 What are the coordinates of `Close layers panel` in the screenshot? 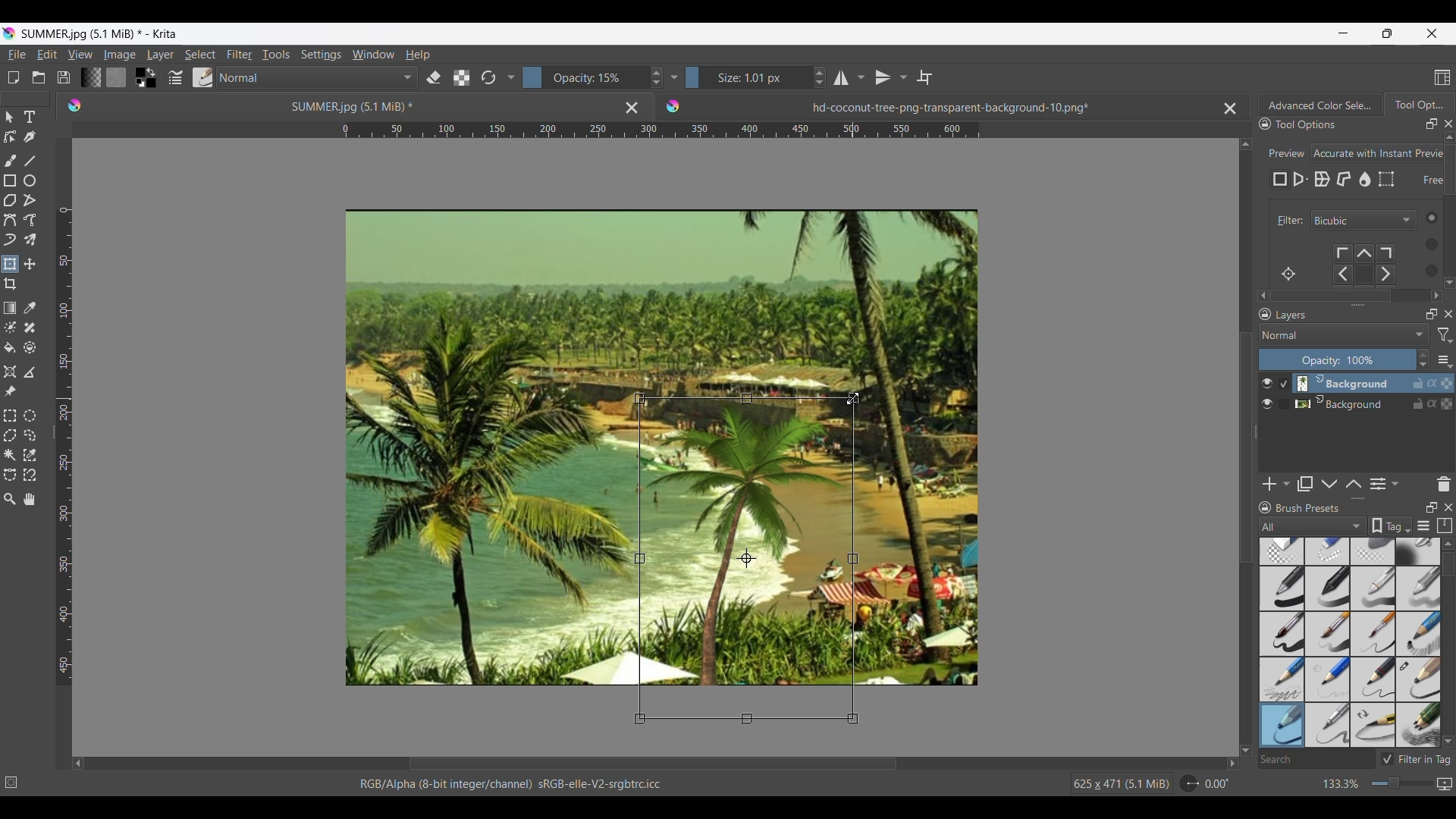 It's located at (1448, 314).